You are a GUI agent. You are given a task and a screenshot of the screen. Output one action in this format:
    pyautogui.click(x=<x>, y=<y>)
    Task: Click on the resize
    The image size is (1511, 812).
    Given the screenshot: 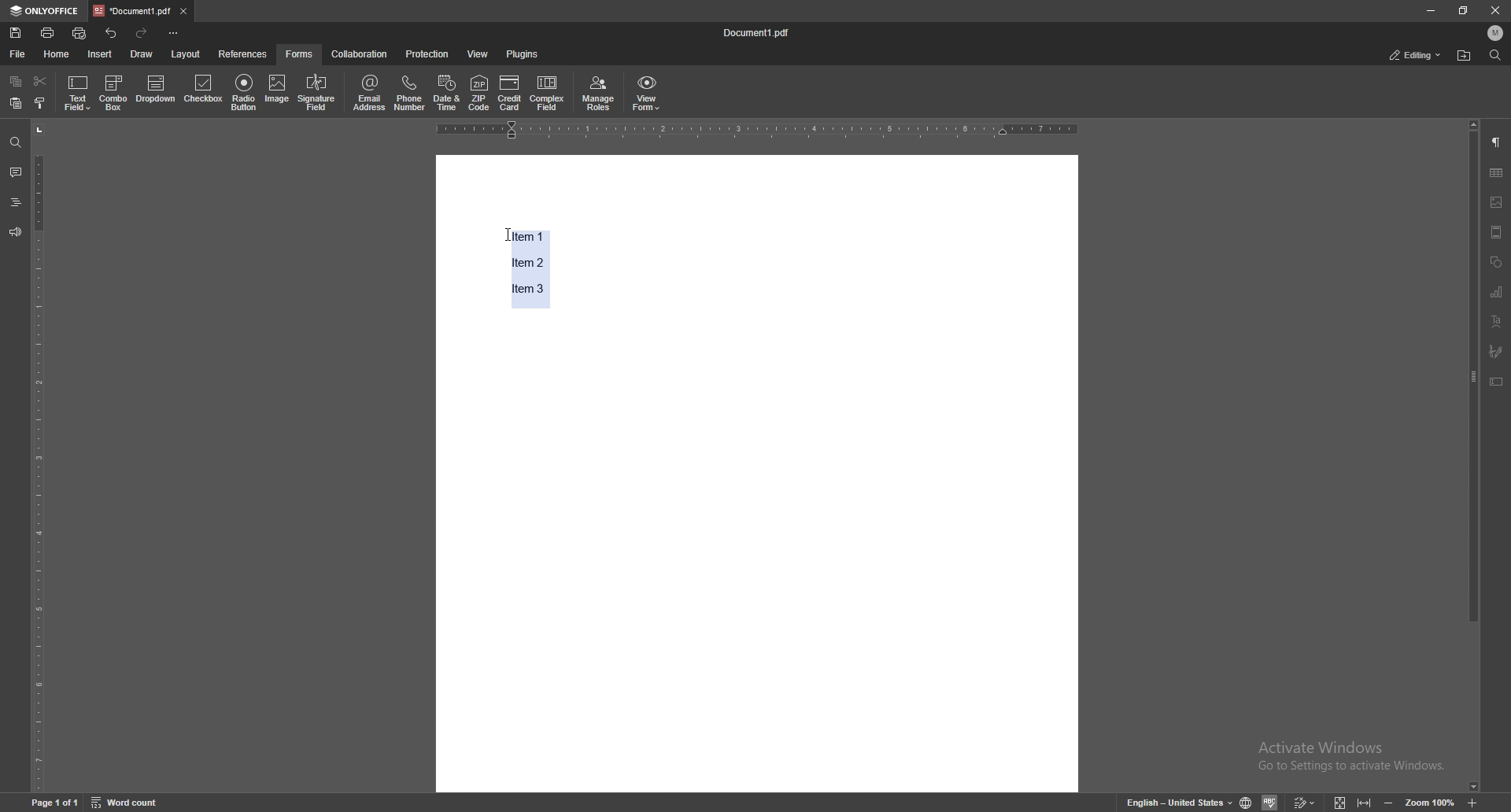 What is the action you would take?
    pyautogui.click(x=1463, y=10)
    